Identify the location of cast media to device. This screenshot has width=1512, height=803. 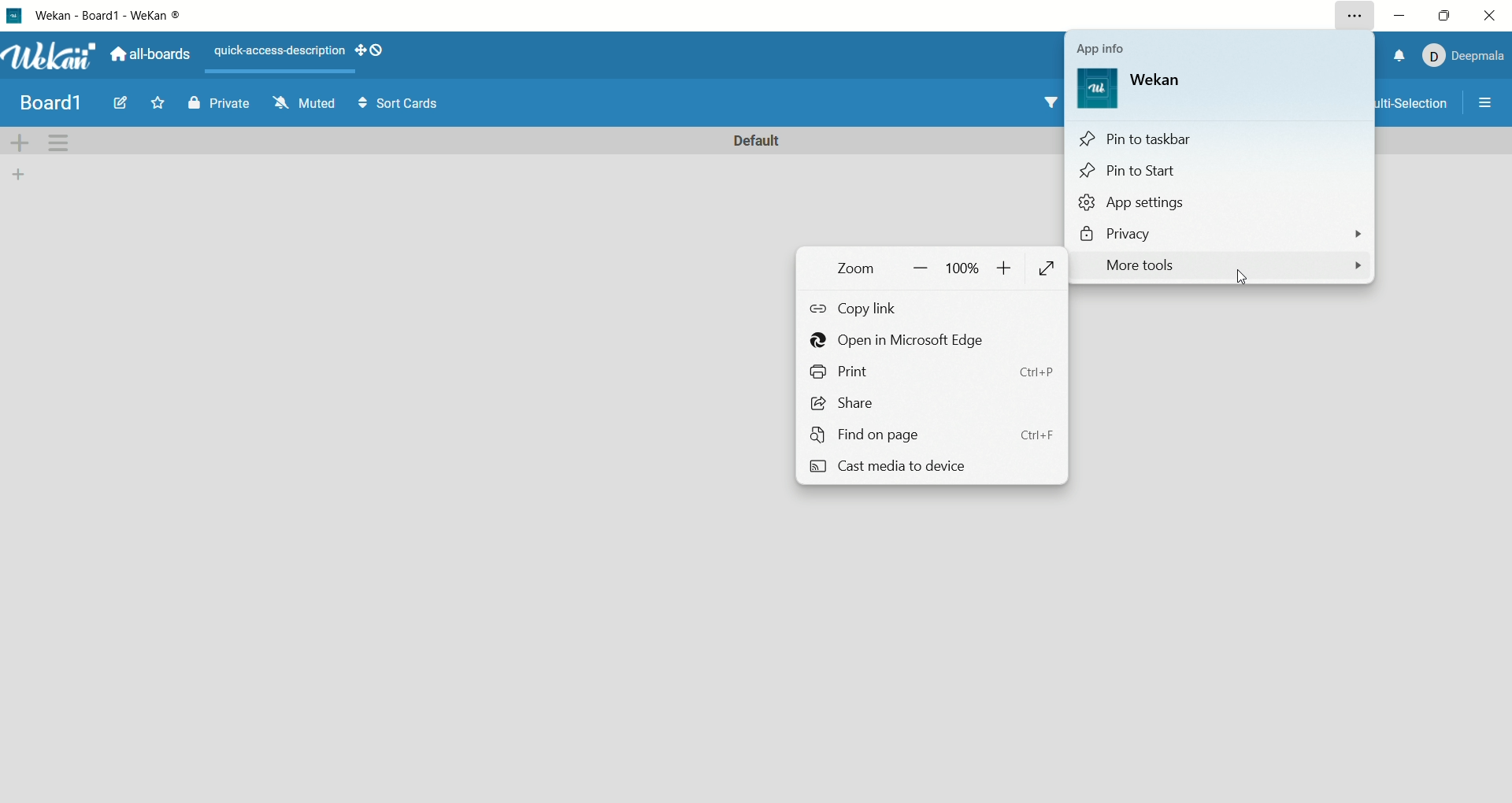
(928, 470).